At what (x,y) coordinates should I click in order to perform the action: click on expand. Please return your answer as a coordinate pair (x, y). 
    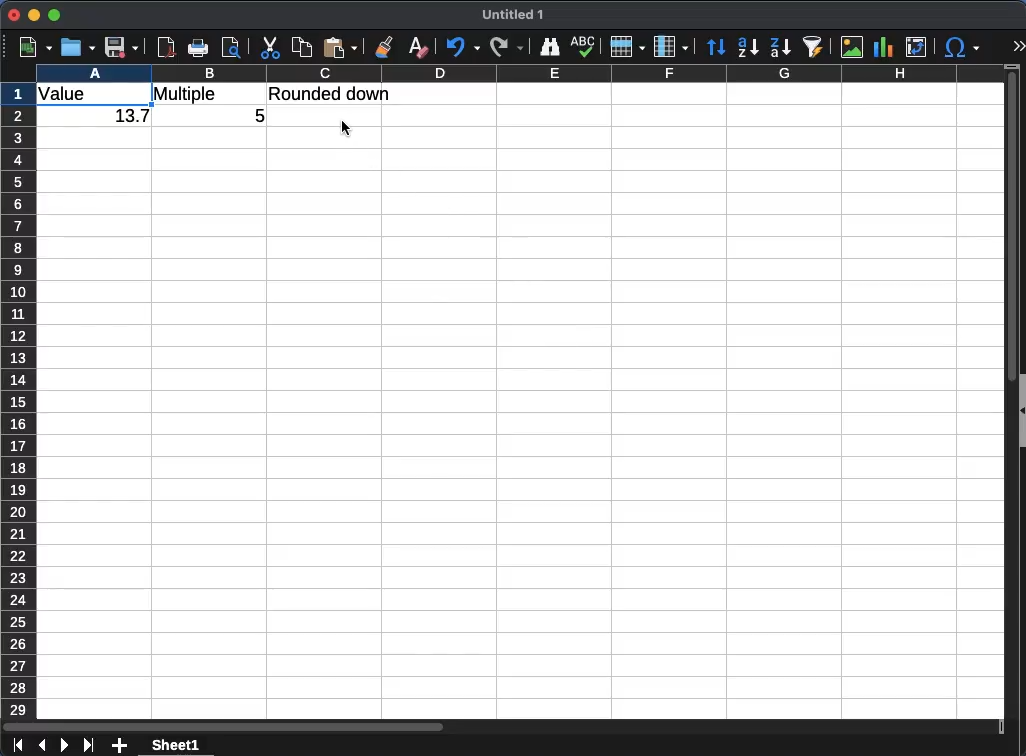
    Looking at the image, I should click on (1018, 46).